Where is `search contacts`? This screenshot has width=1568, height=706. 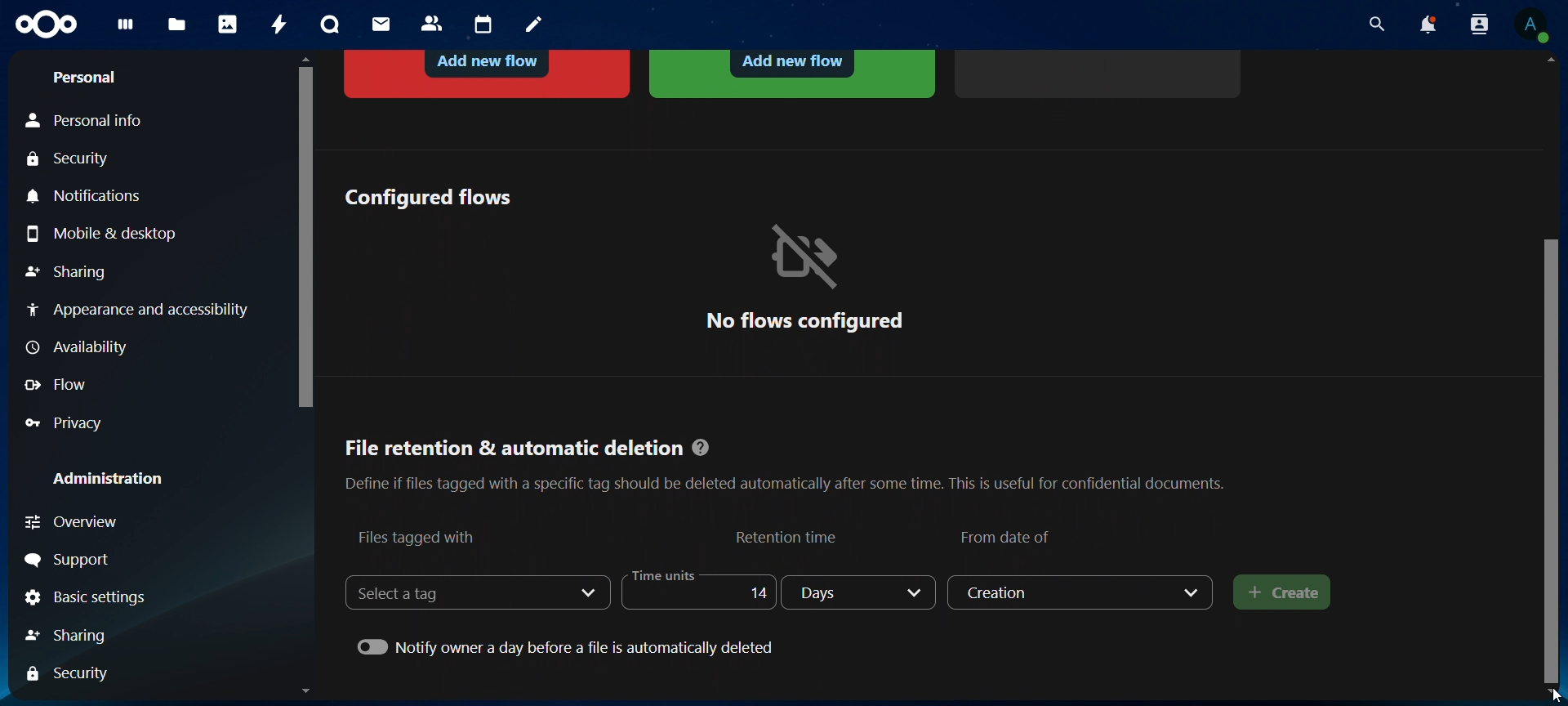 search contacts is located at coordinates (1483, 25).